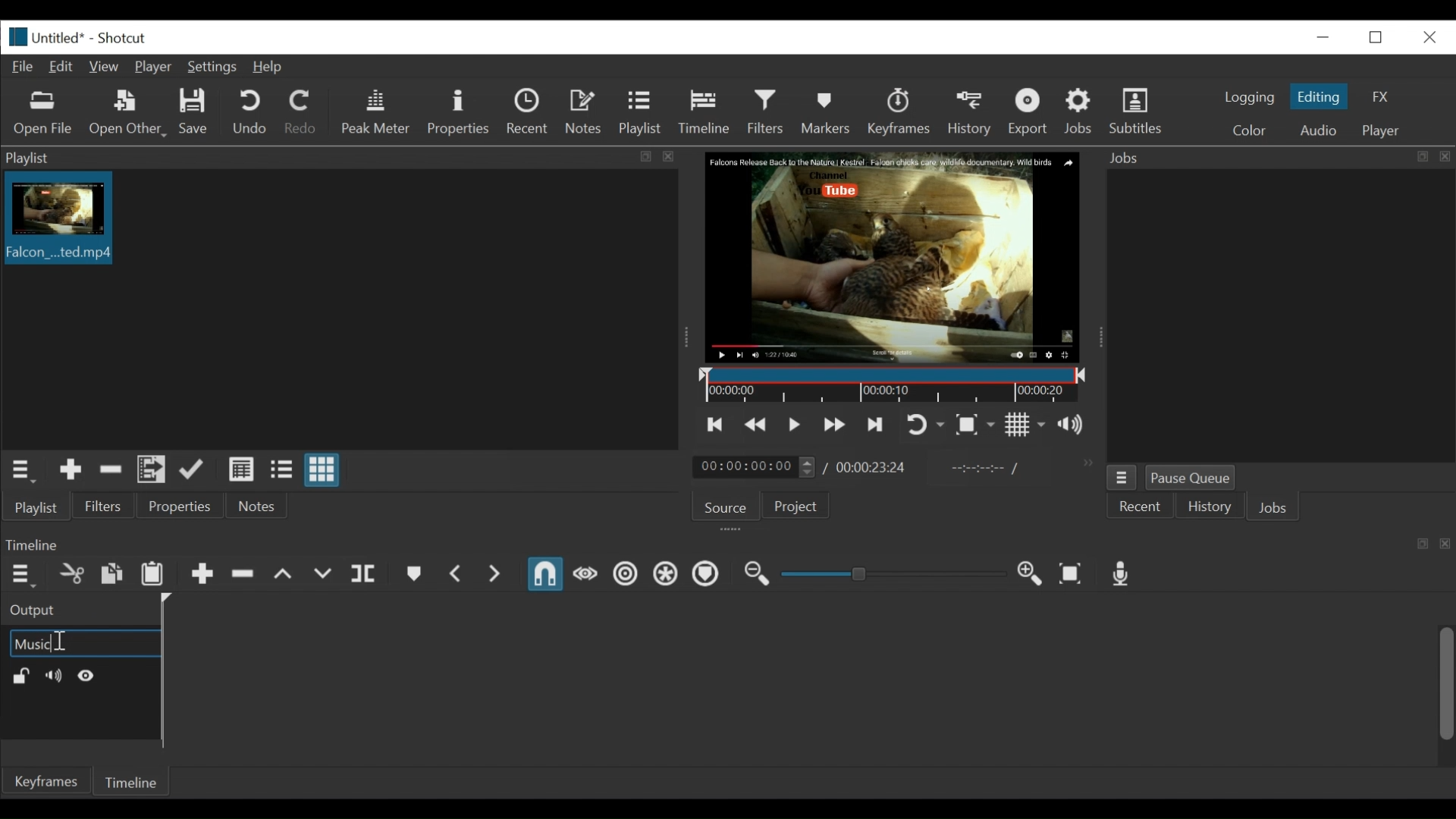  I want to click on Help, so click(268, 66).